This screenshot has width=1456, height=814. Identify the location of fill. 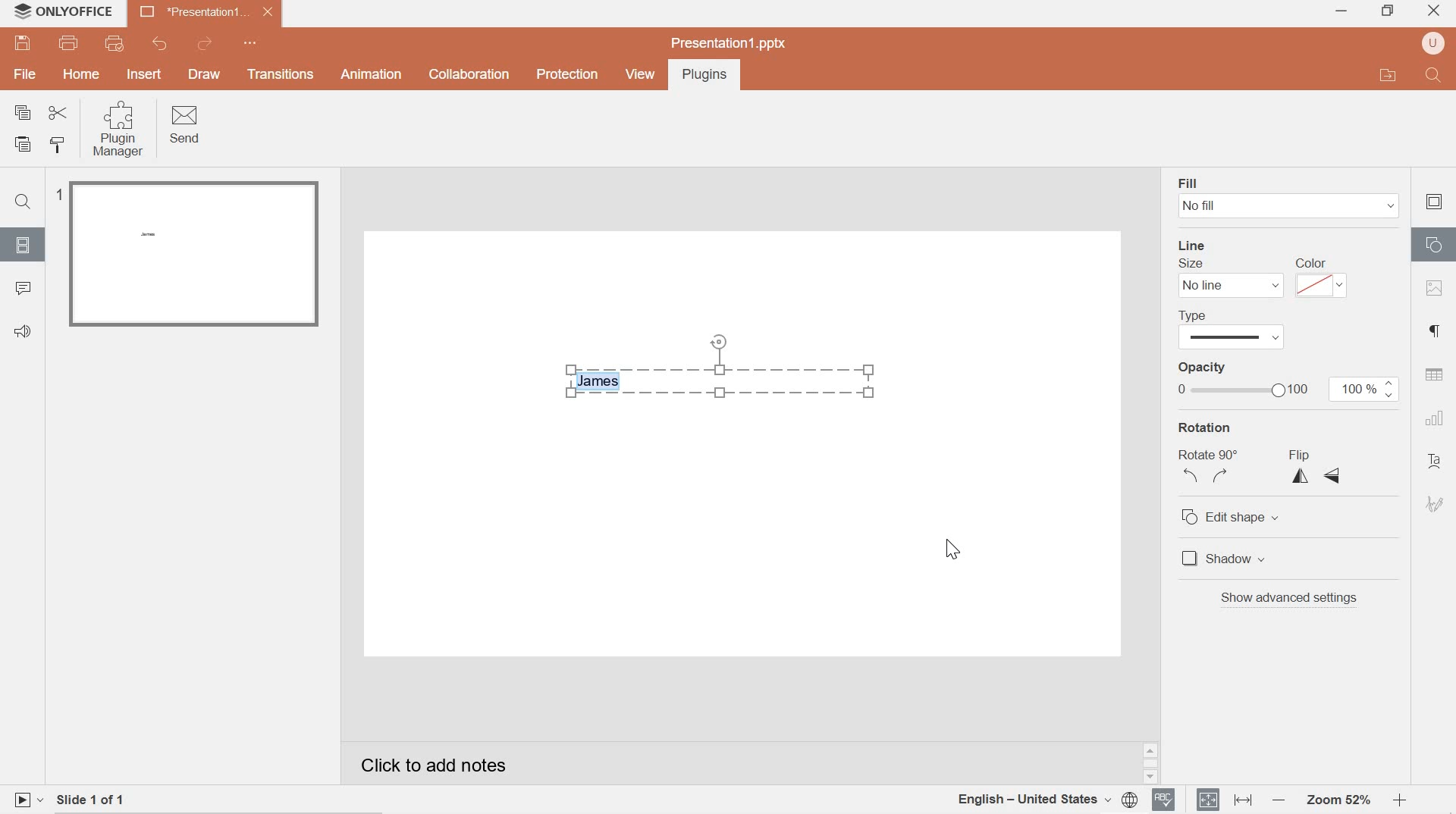
(1186, 182).